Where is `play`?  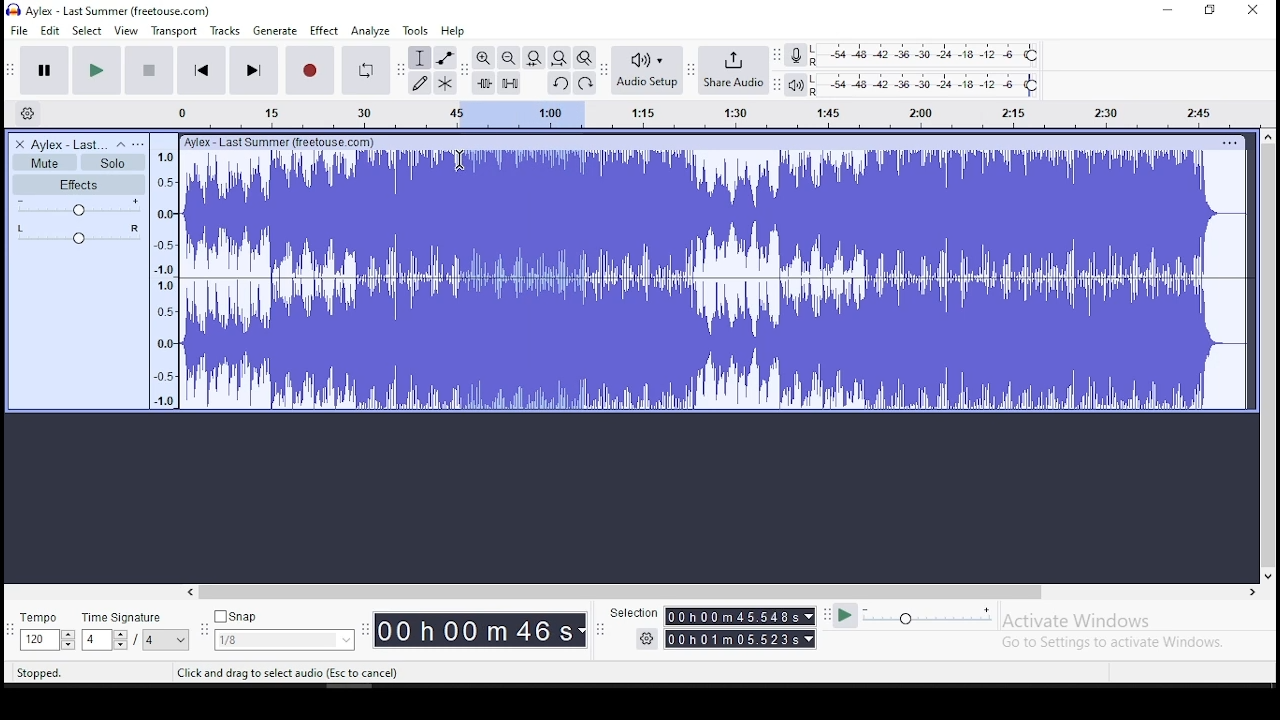 play is located at coordinates (97, 69).